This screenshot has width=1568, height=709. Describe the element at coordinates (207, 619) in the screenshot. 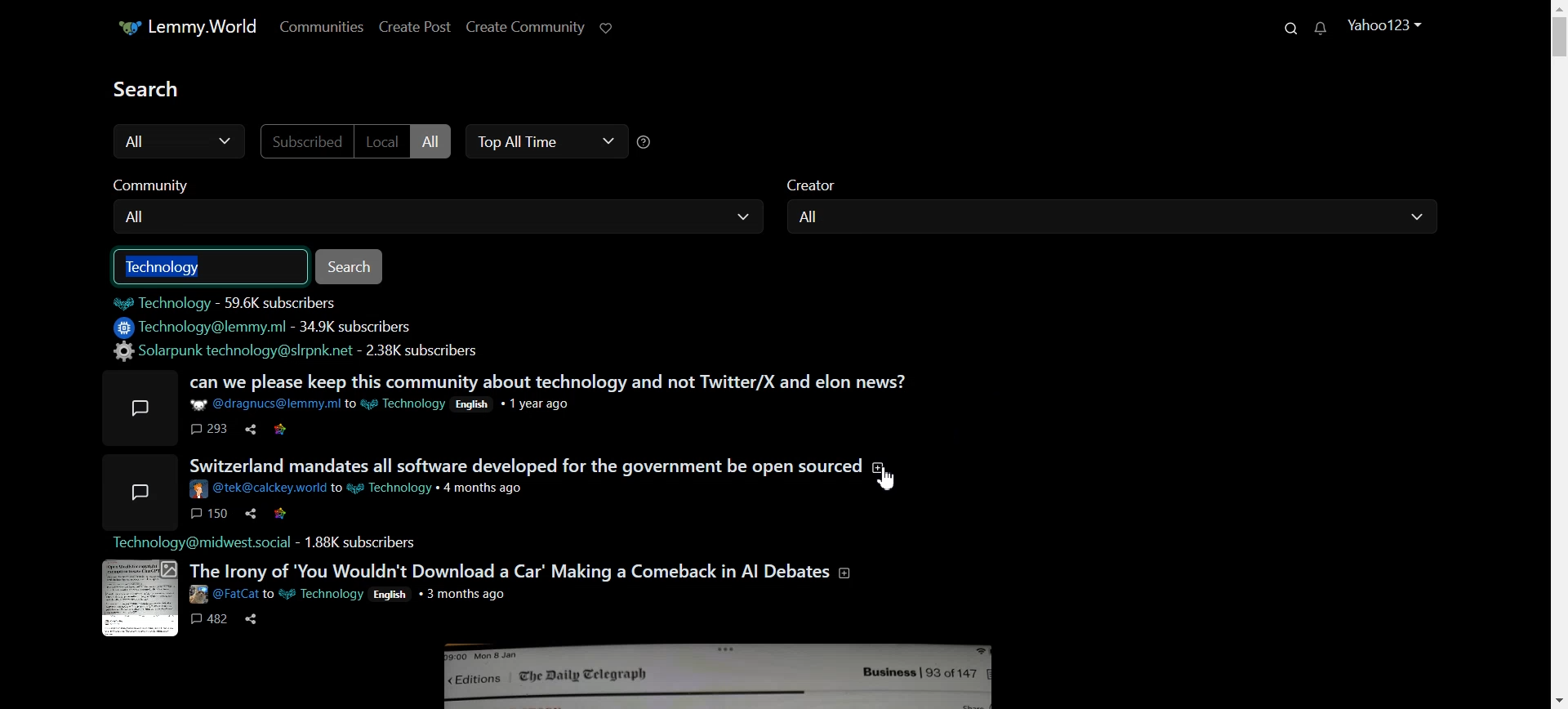

I see `482 comments` at that location.